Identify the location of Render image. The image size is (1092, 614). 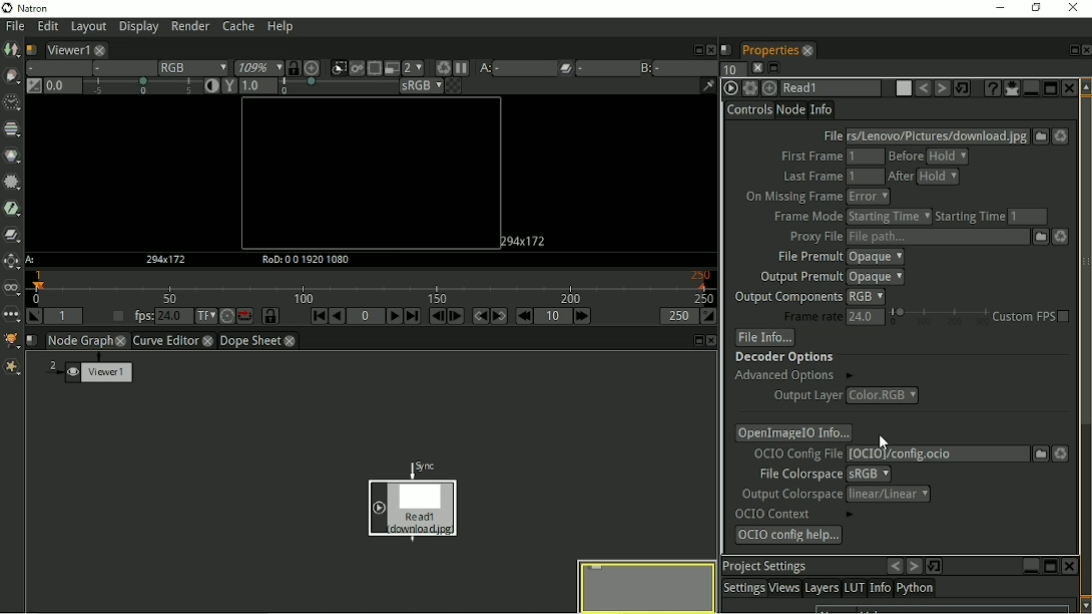
(353, 69).